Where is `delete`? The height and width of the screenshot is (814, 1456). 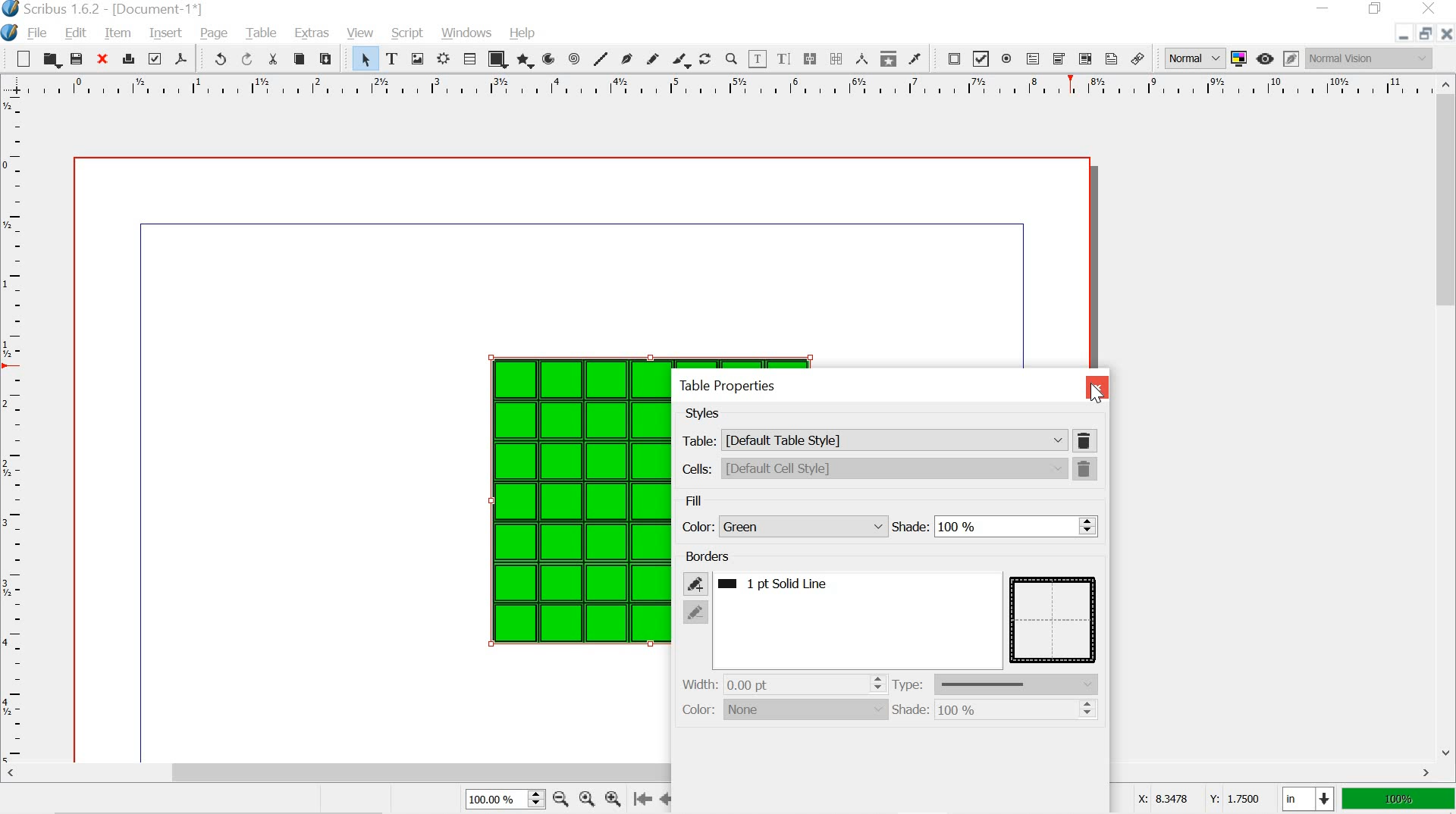 delete is located at coordinates (1087, 440).